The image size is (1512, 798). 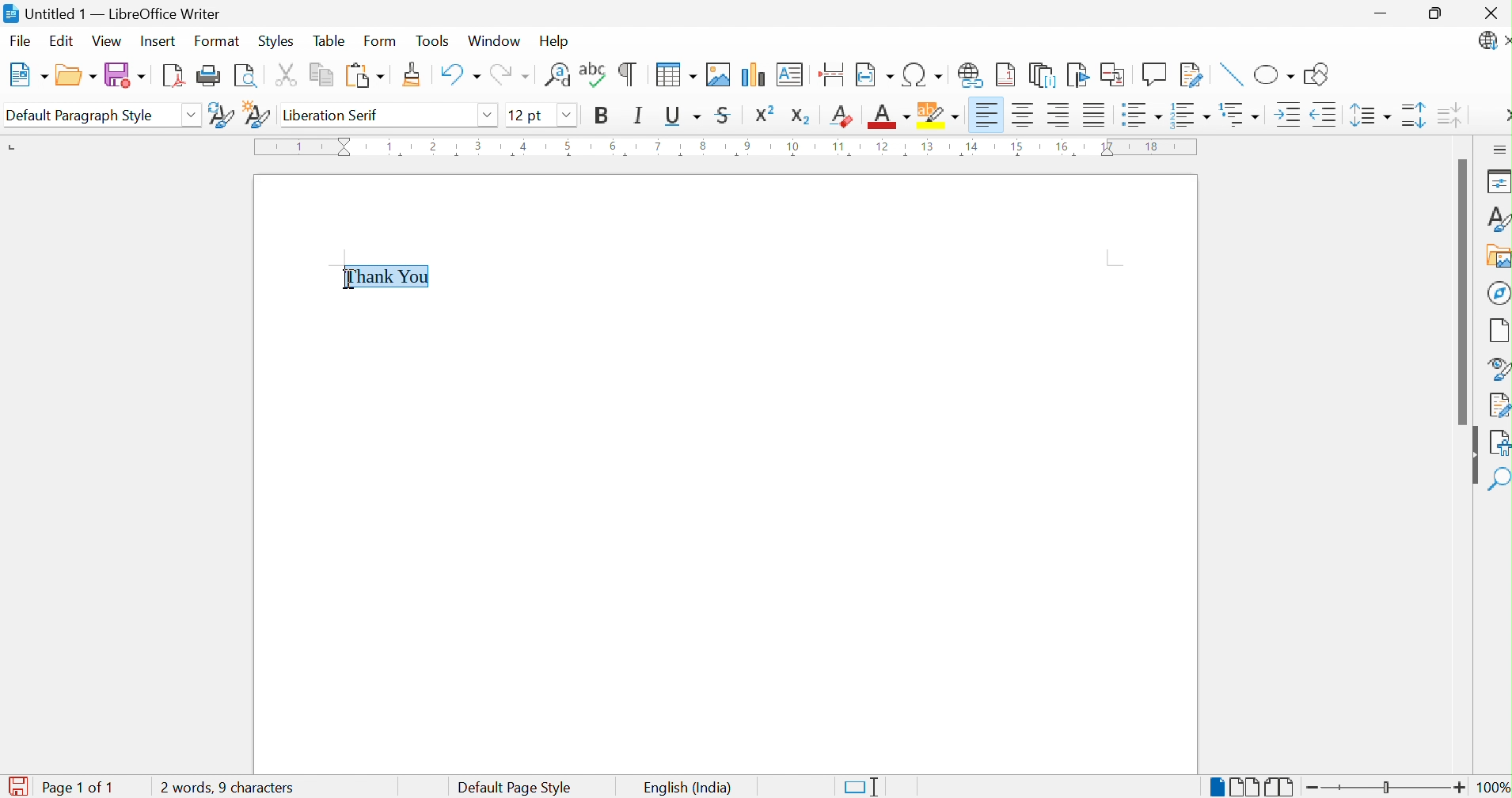 What do you see at coordinates (1155, 74) in the screenshot?
I see `Insert Comment` at bounding box center [1155, 74].